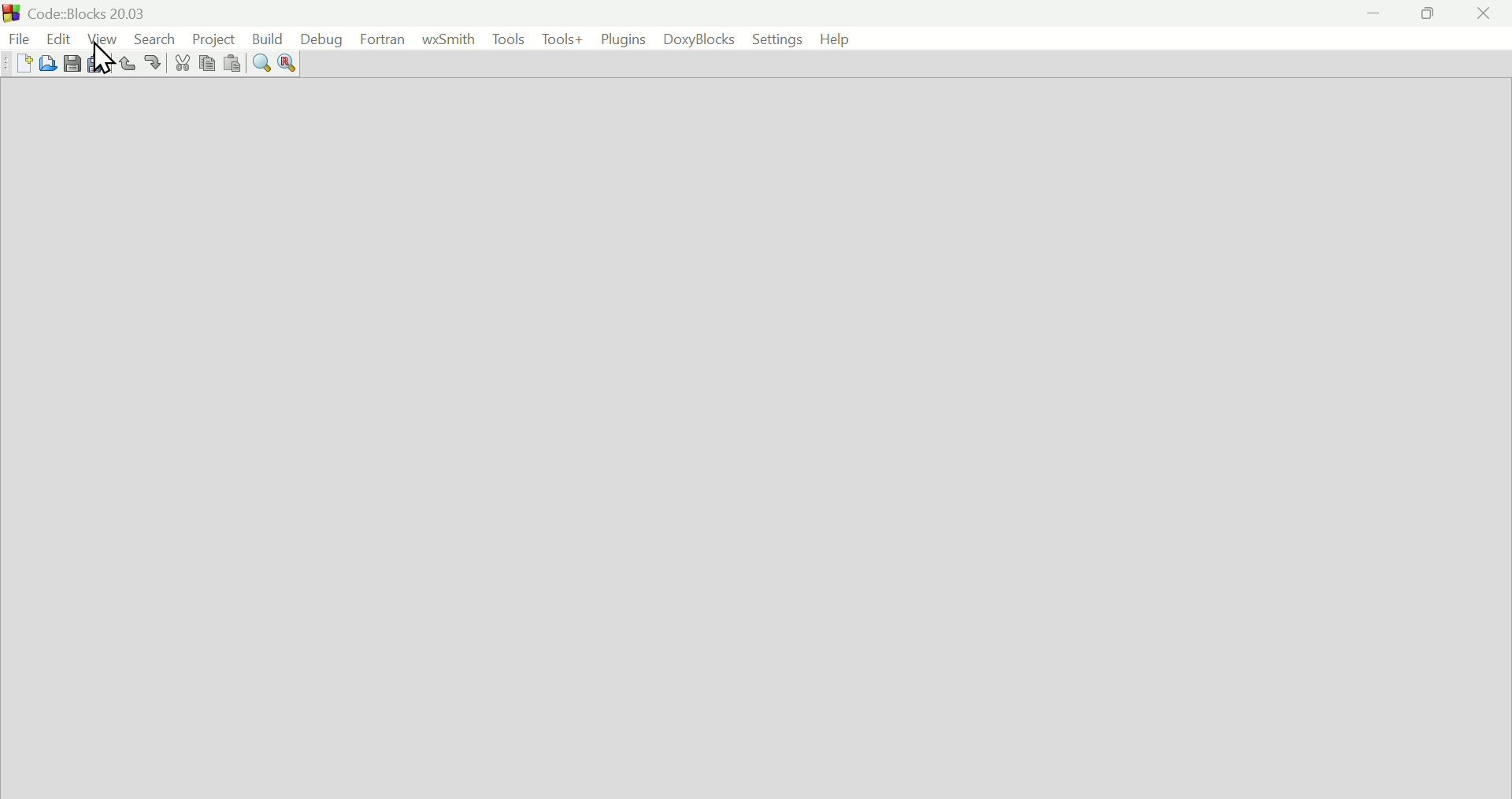 The height and width of the screenshot is (799, 1512). I want to click on DoxyBlocks, so click(695, 39).